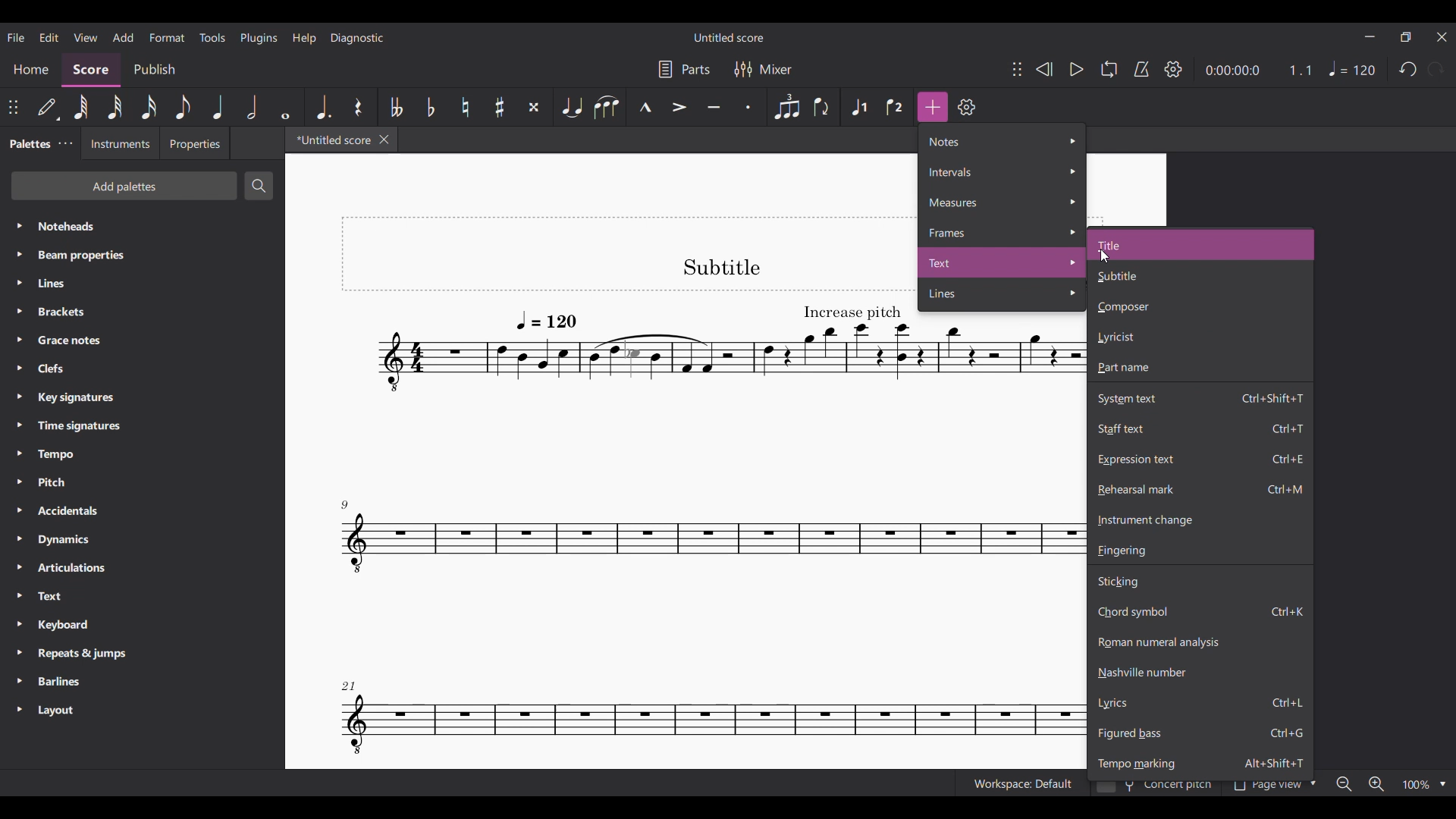 The width and height of the screenshot is (1456, 819). What do you see at coordinates (322, 107) in the screenshot?
I see `Augmentation dot` at bounding box center [322, 107].